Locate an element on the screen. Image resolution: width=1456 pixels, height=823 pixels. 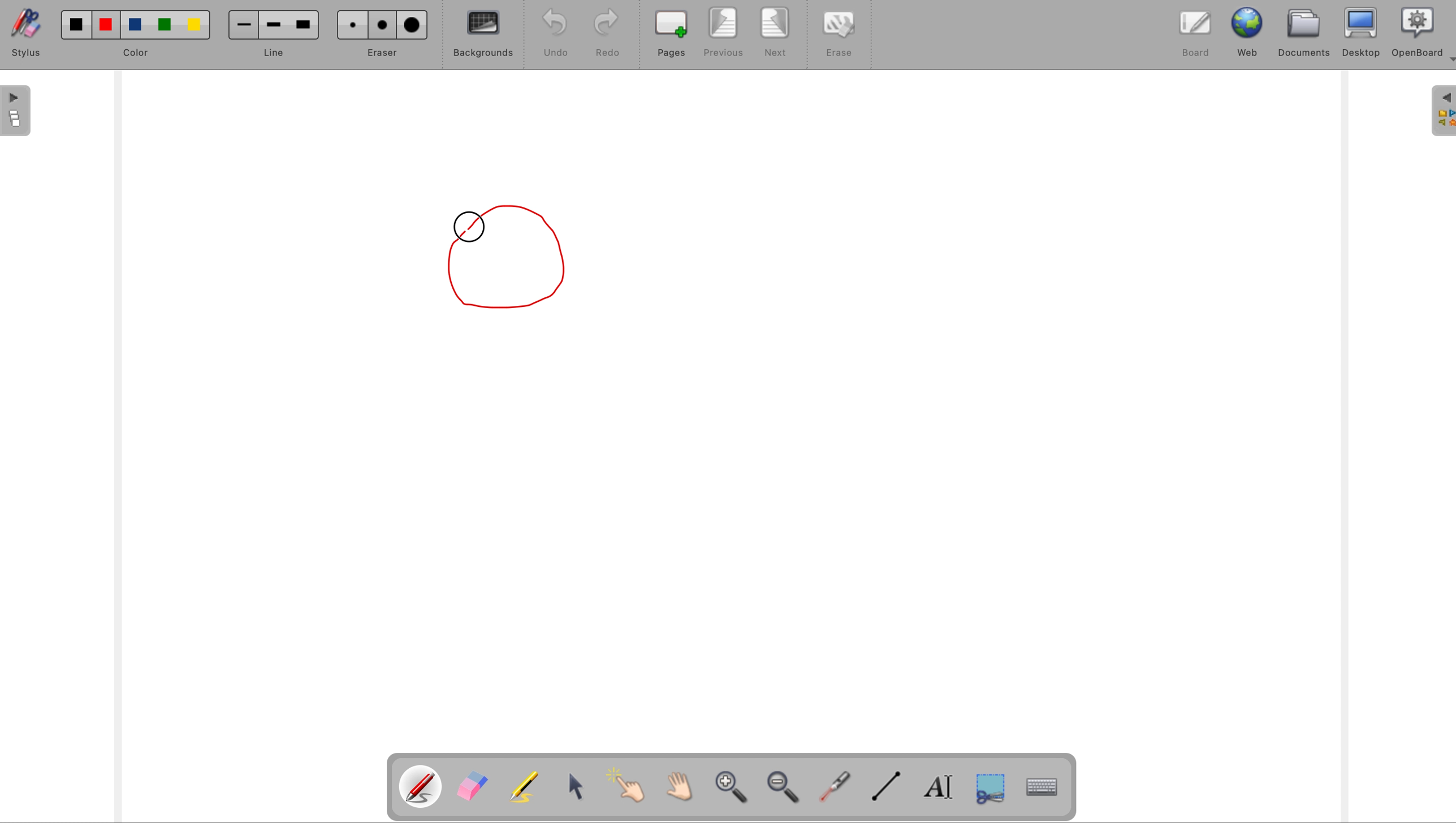
sidebar is located at coordinates (1441, 111).